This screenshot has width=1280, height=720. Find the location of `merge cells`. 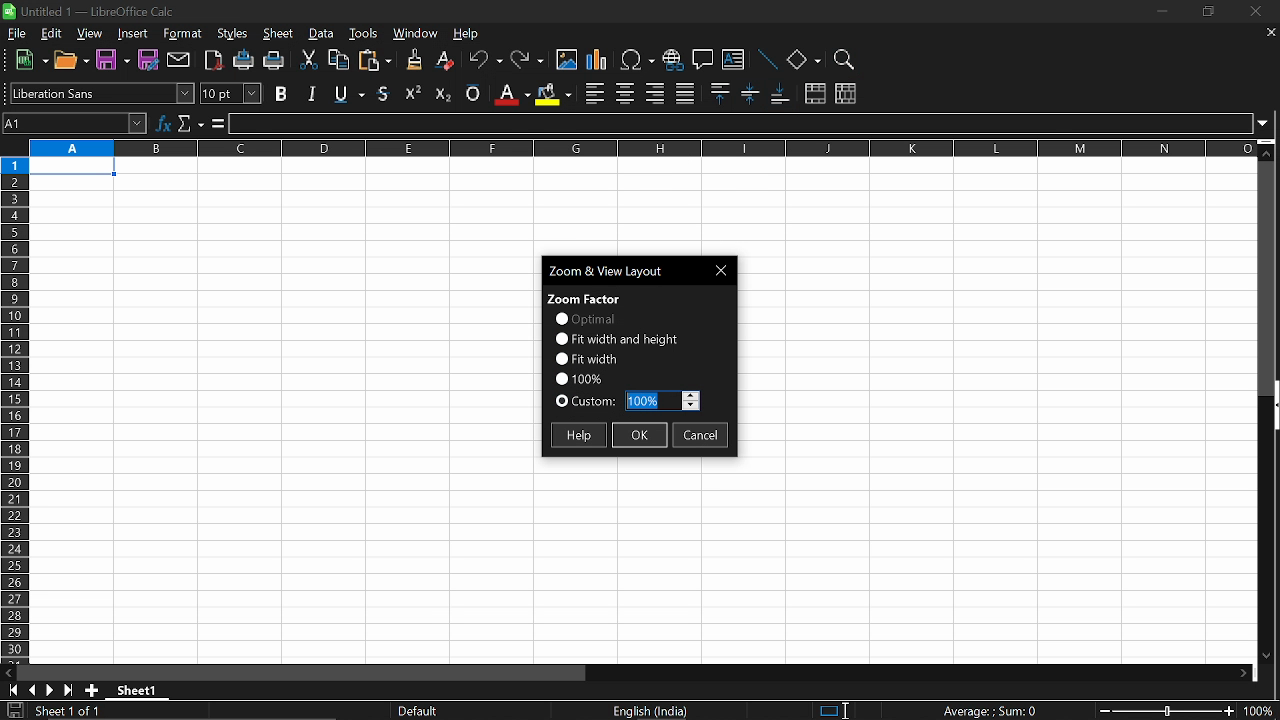

merge cells is located at coordinates (815, 95).